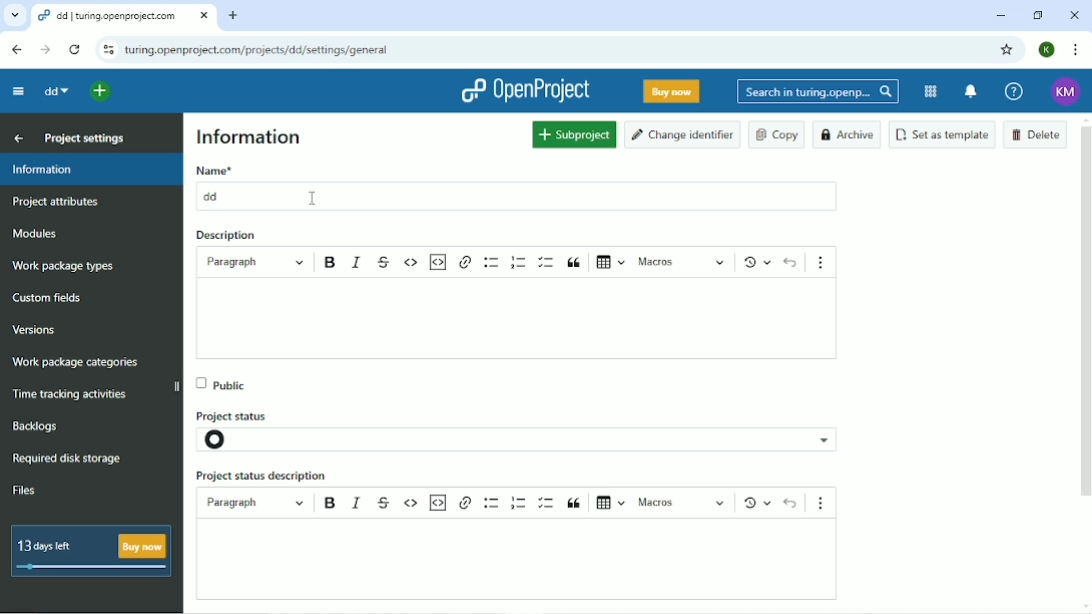  What do you see at coordinates (257, 262) in the screenshot?
I see `Paragraph` at bounding box center [257, 262].